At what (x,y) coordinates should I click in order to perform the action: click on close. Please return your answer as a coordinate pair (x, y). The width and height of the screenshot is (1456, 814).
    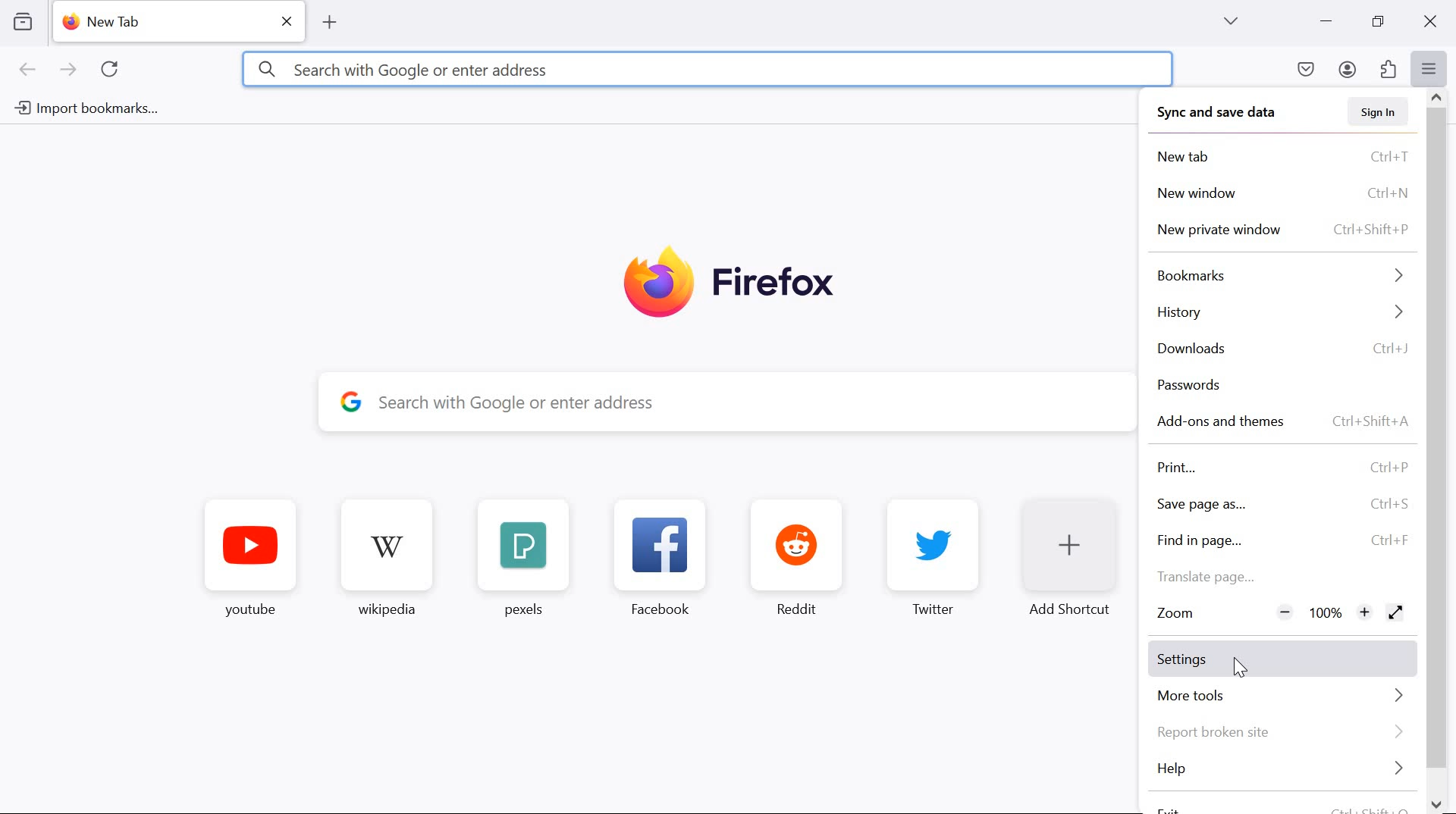
    Looking at the image, I should click on (1433, 20).